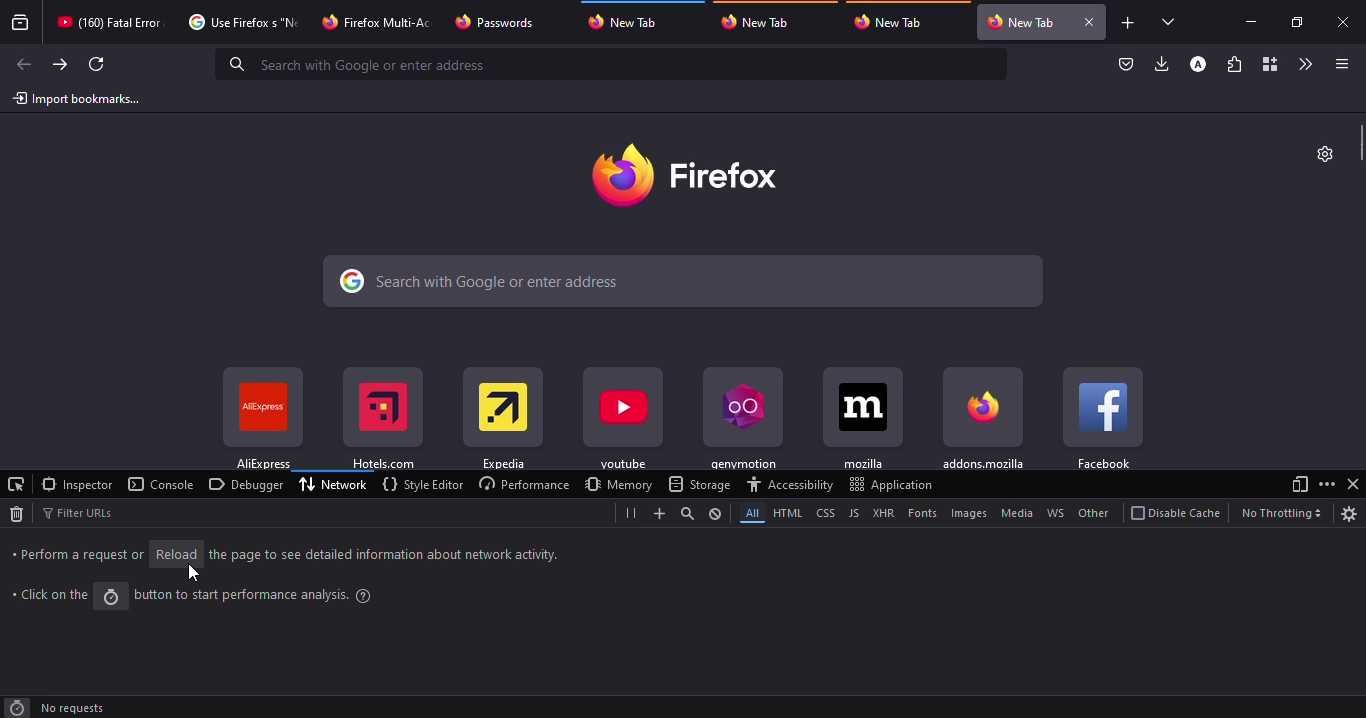 The image size is (1366, 718). I want to click on search, so click(367, 64).